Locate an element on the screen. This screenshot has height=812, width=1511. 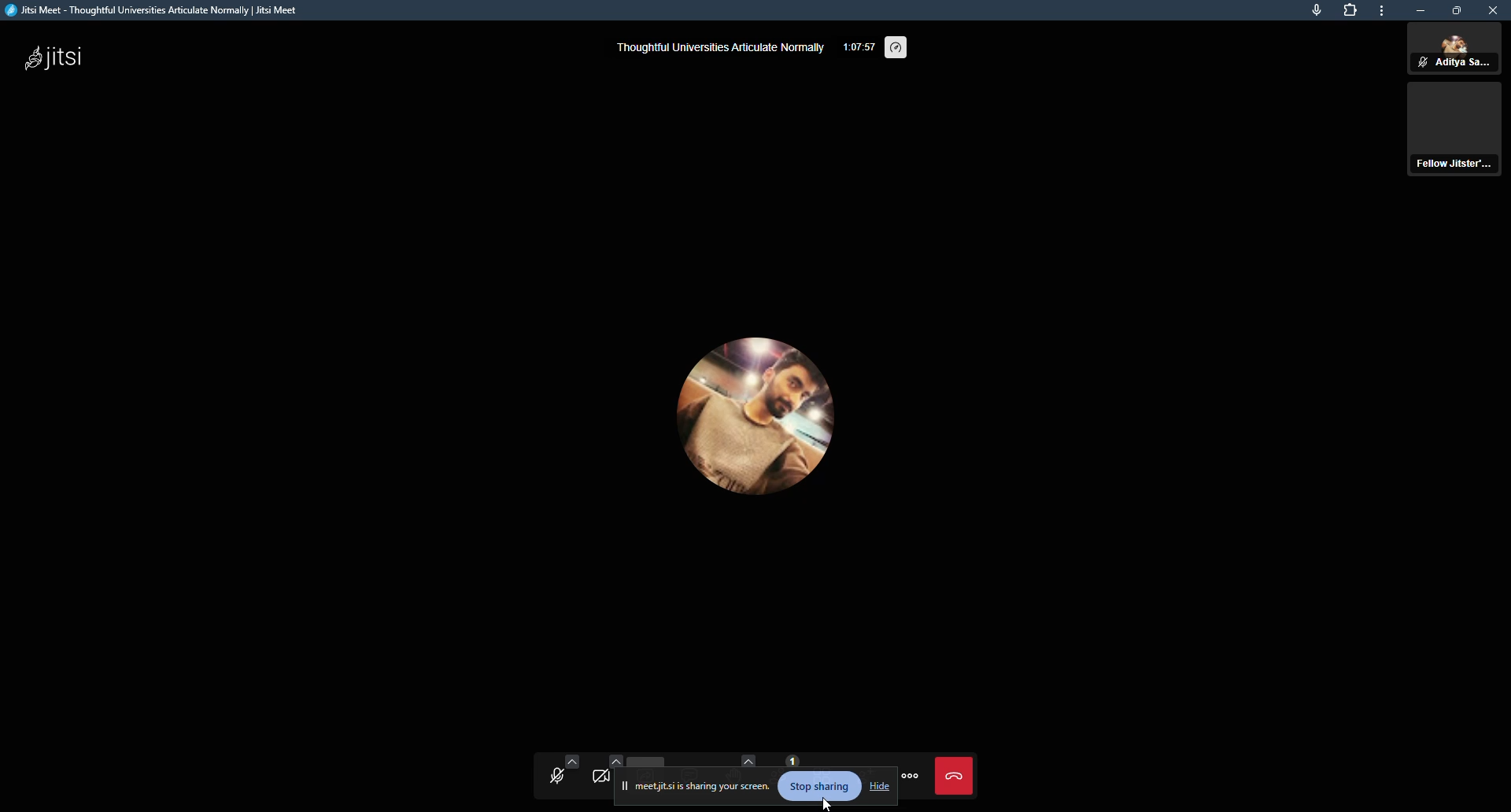
minimize is located at coordinates (1422, 10).